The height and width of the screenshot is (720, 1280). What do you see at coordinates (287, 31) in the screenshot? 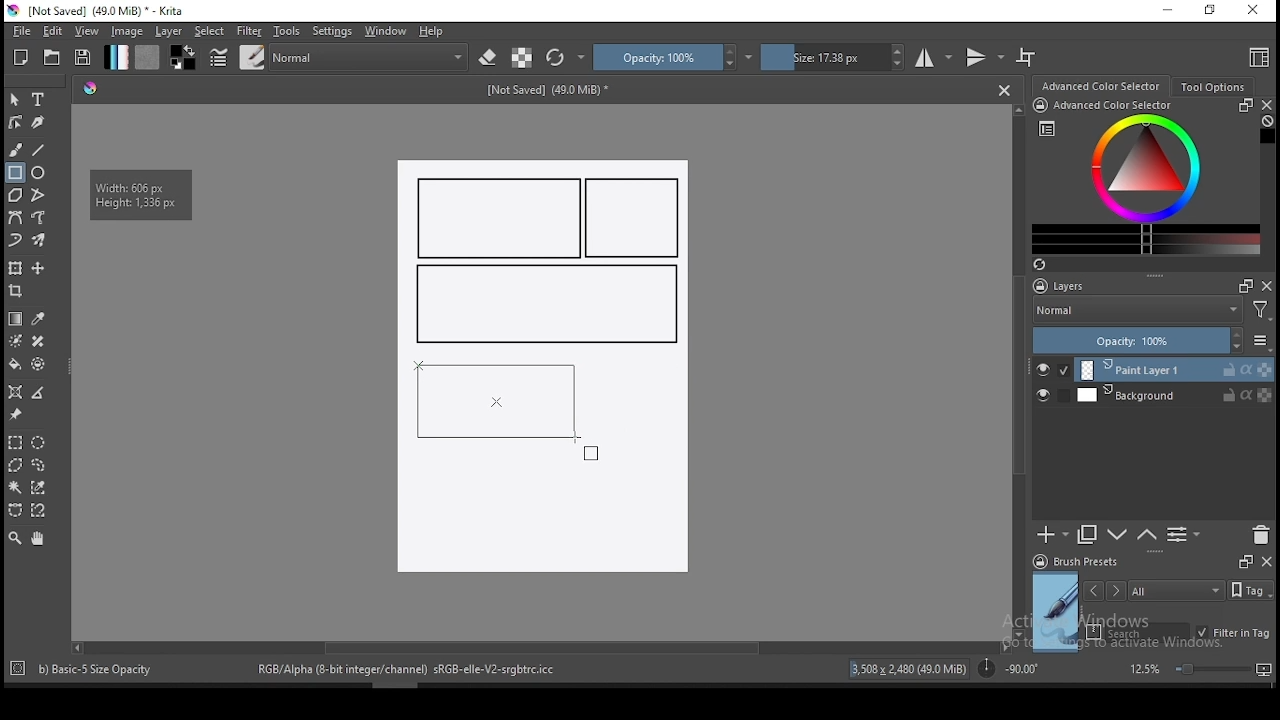
I see `tools` at bounding box center [287, 31].